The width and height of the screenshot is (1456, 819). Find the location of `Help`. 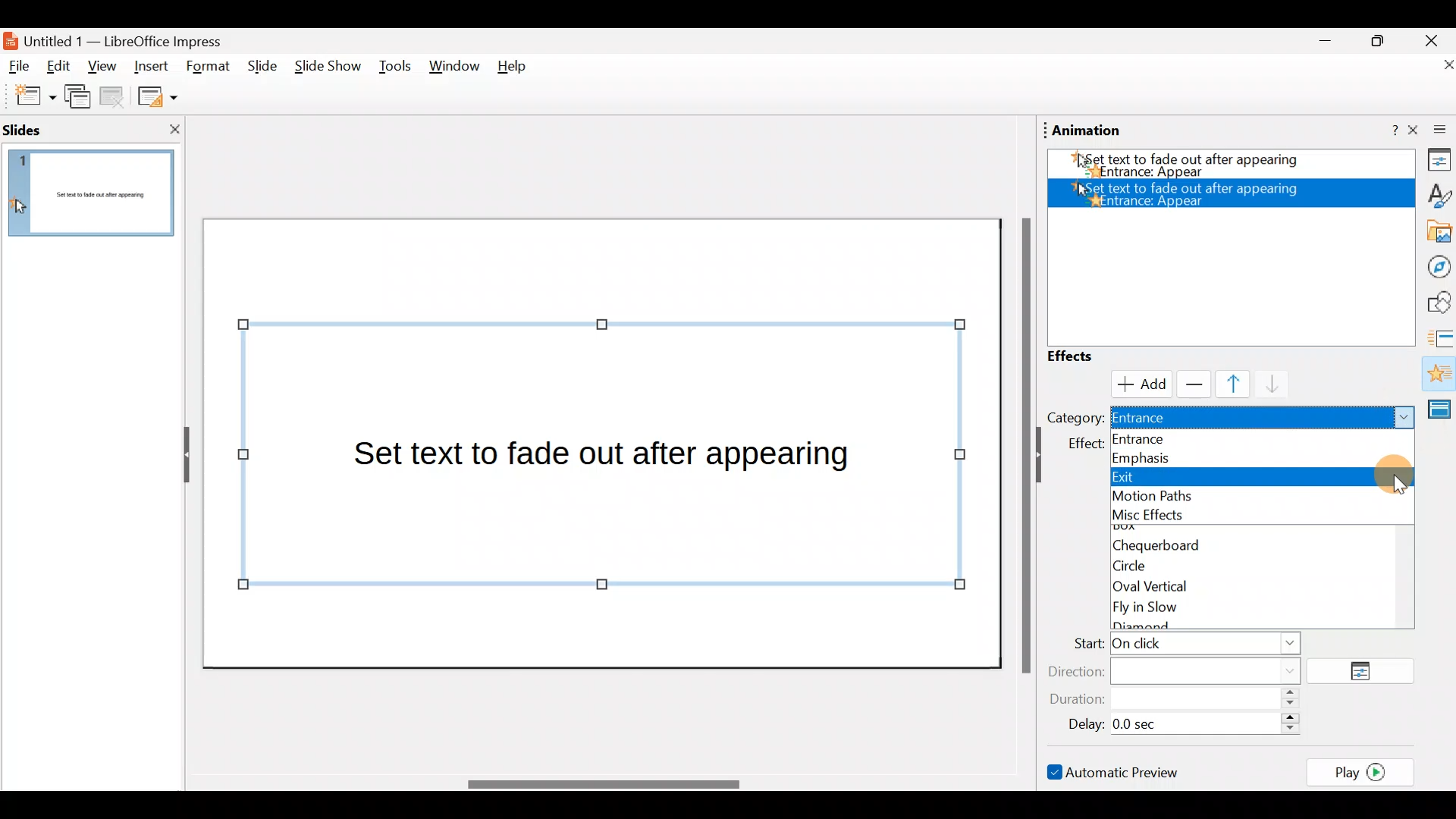

Help is located at coordinates (518, 70).